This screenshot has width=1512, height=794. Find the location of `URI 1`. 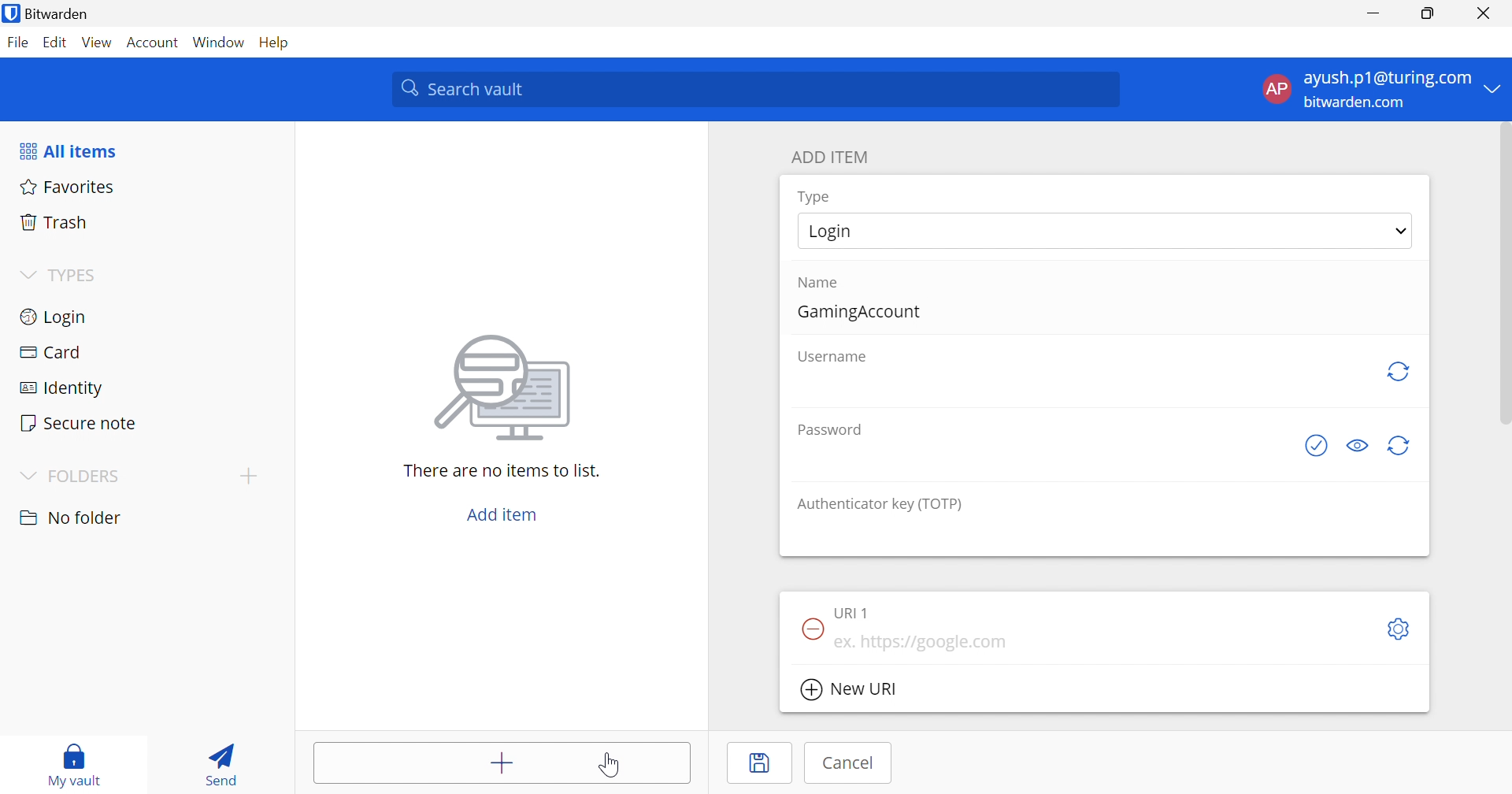

URI 1 is located at coordinates (858, 612).